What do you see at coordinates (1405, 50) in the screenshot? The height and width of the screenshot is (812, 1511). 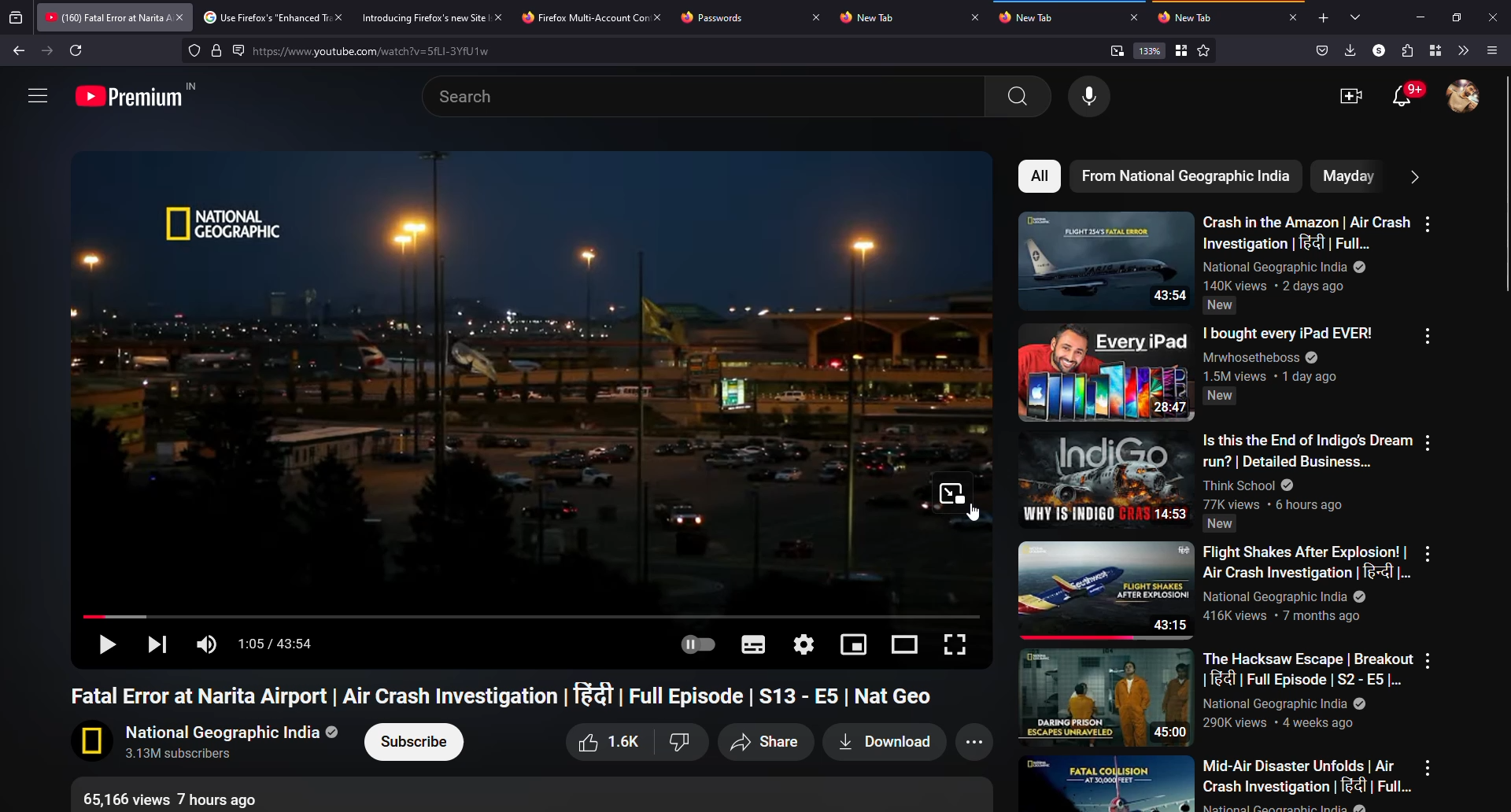 I see `extensions` at bounding box center [1405, 50].